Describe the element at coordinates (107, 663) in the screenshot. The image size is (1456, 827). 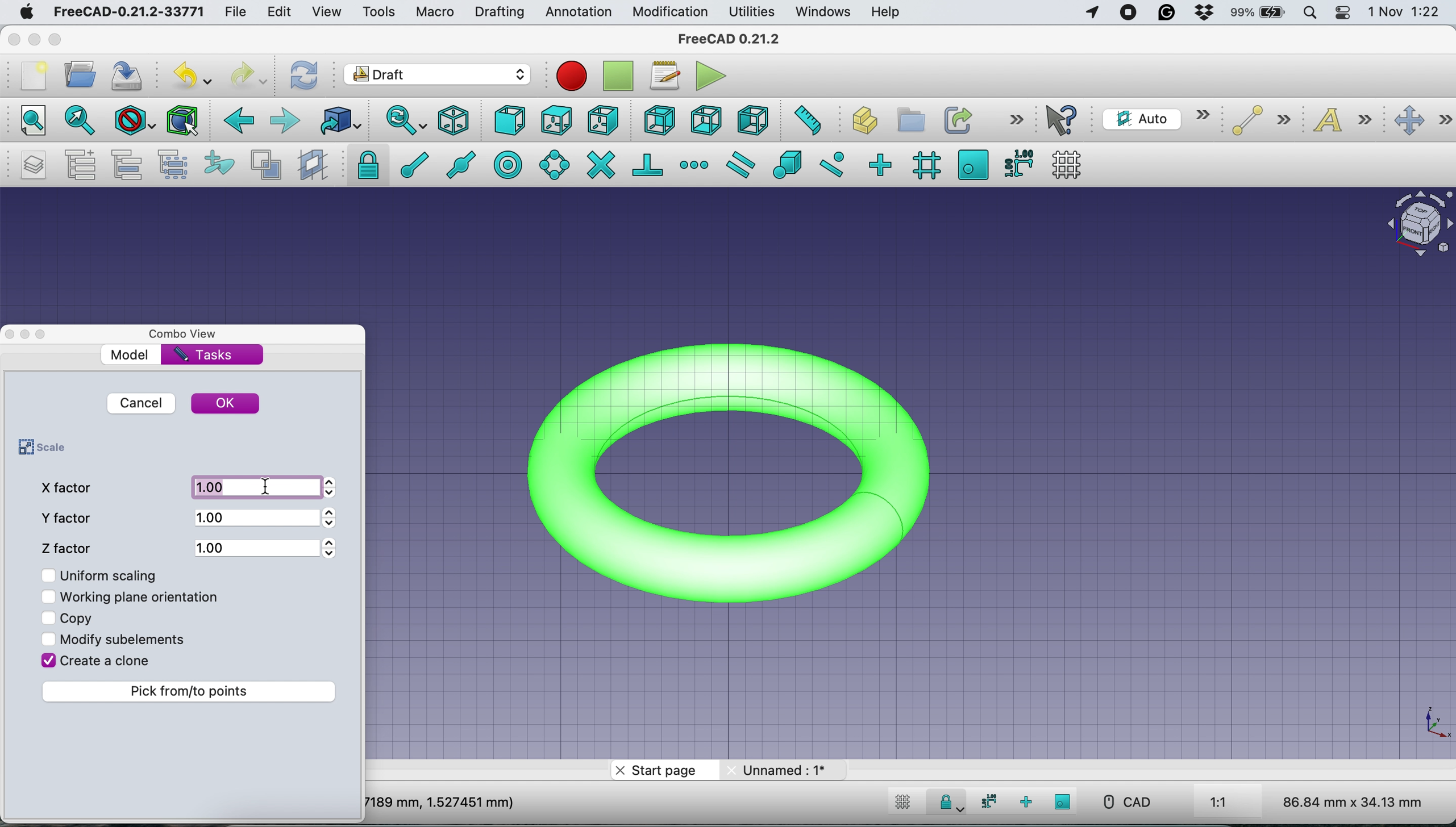
I see `create a clone` at that location.